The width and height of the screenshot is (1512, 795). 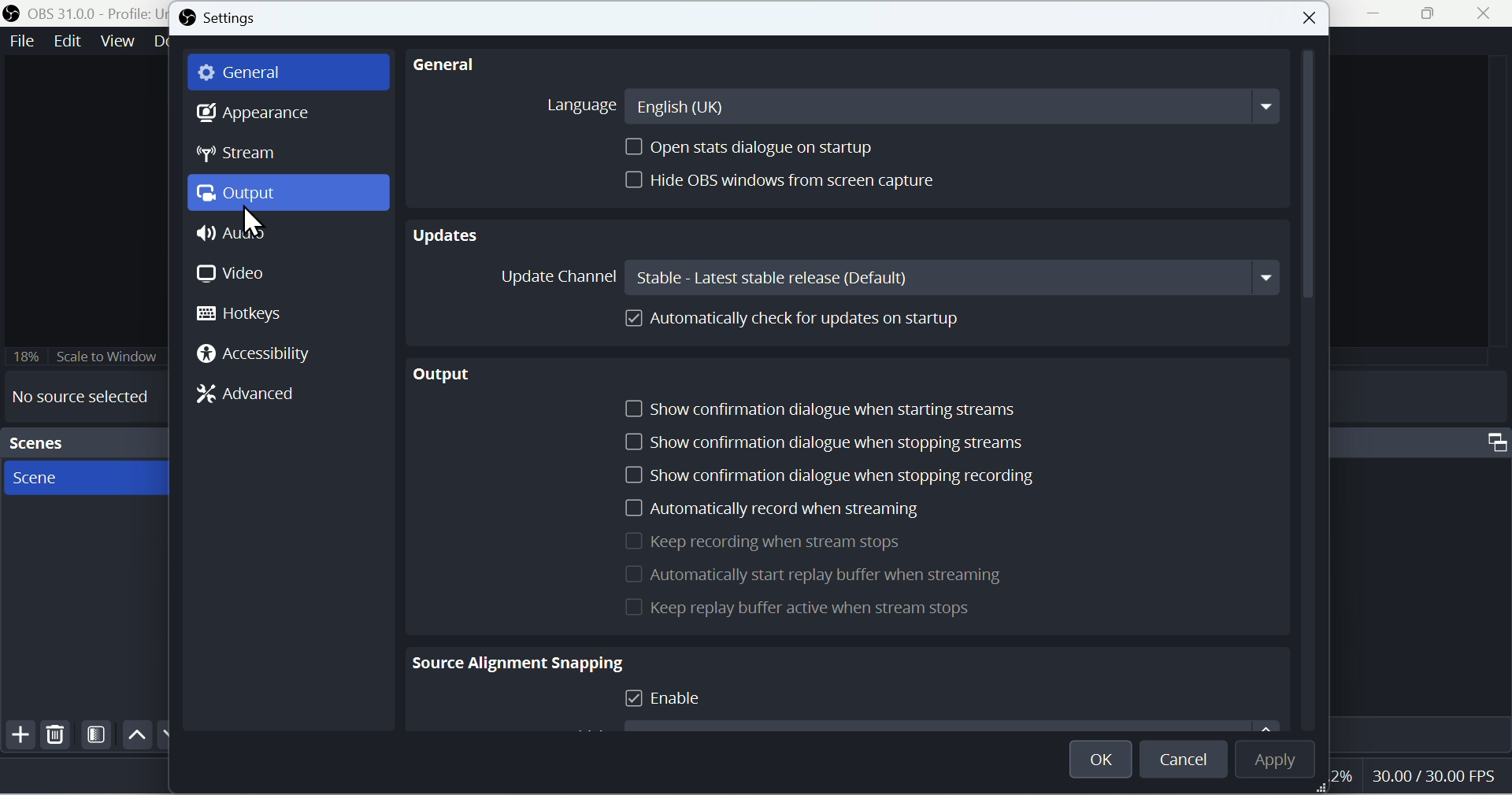 I want to click on , so click(x=1311, y=18).